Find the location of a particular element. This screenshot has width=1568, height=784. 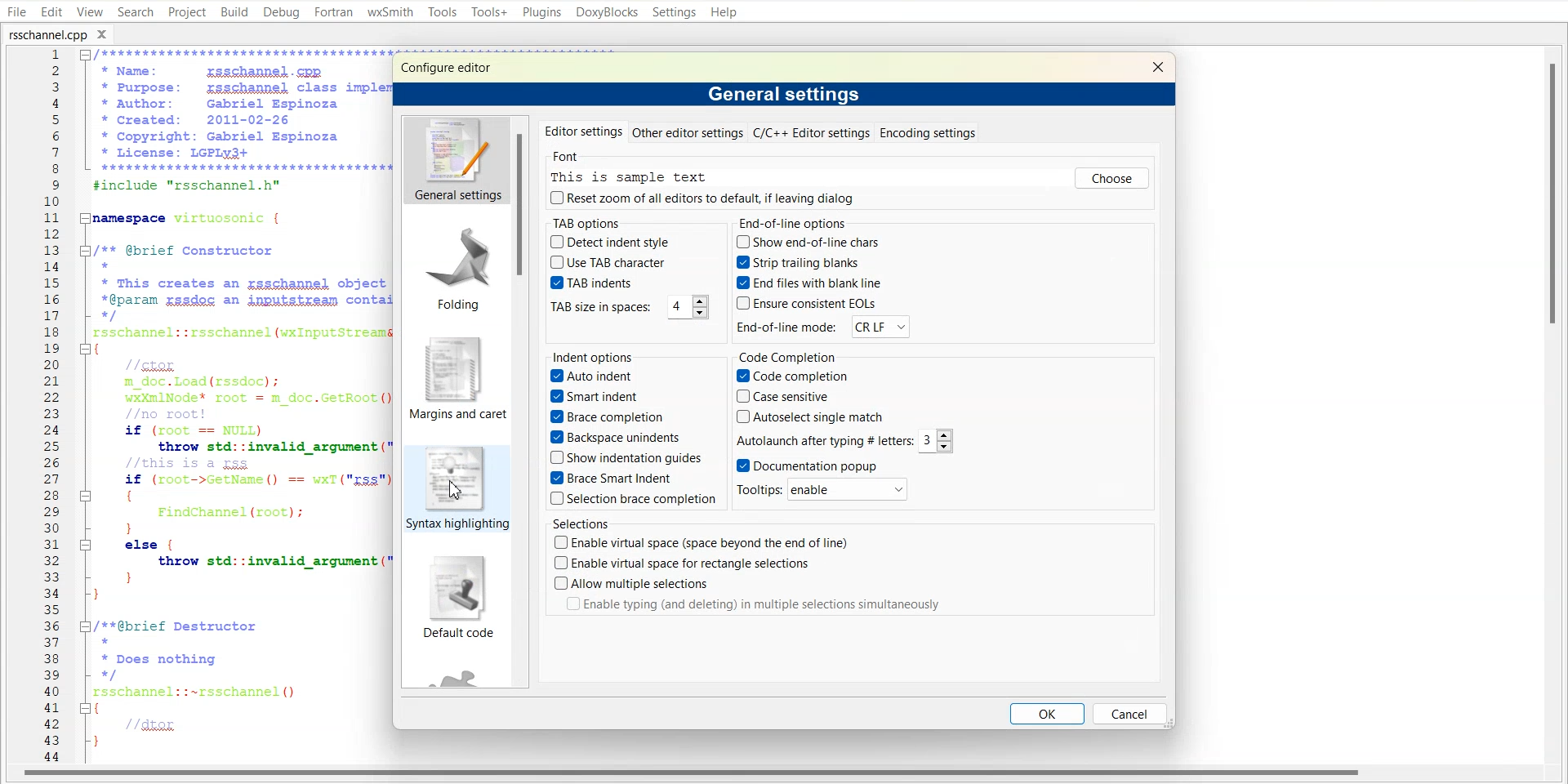

Edit is located at coordinates (51, 11).